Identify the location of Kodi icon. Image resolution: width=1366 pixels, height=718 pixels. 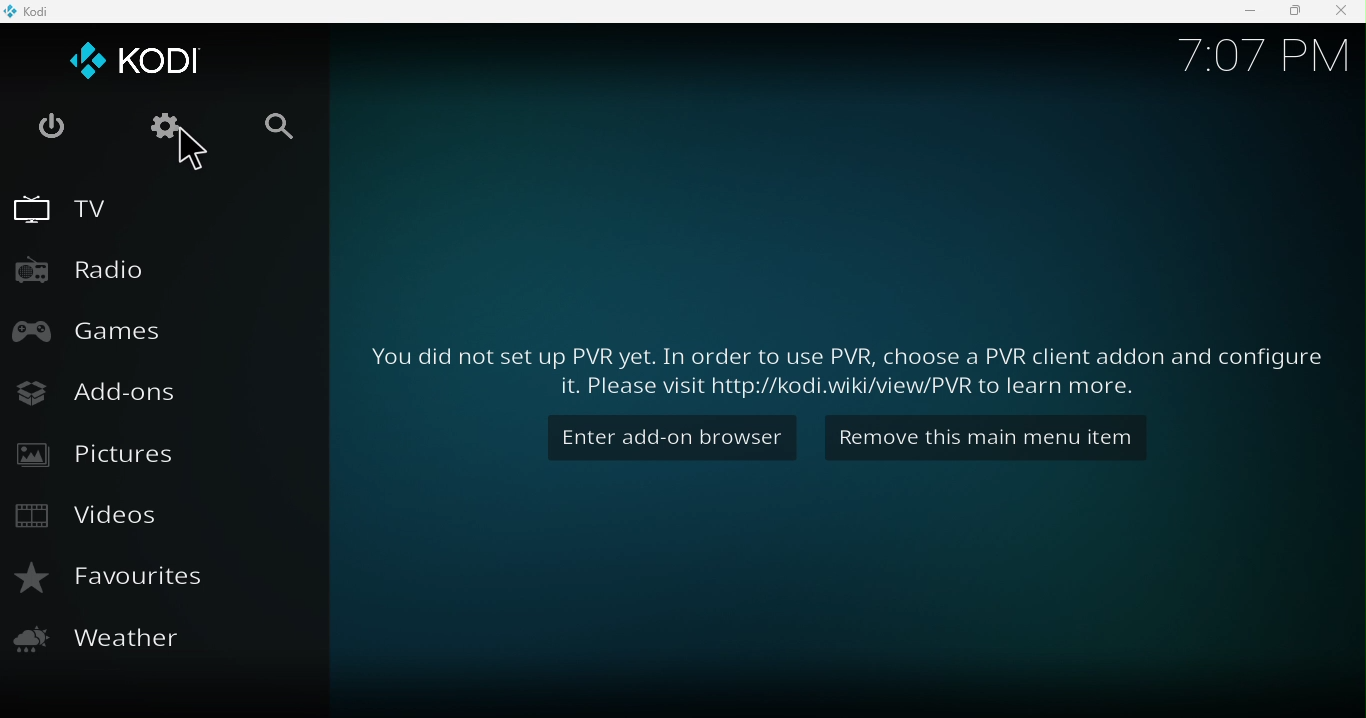
(132, 58).